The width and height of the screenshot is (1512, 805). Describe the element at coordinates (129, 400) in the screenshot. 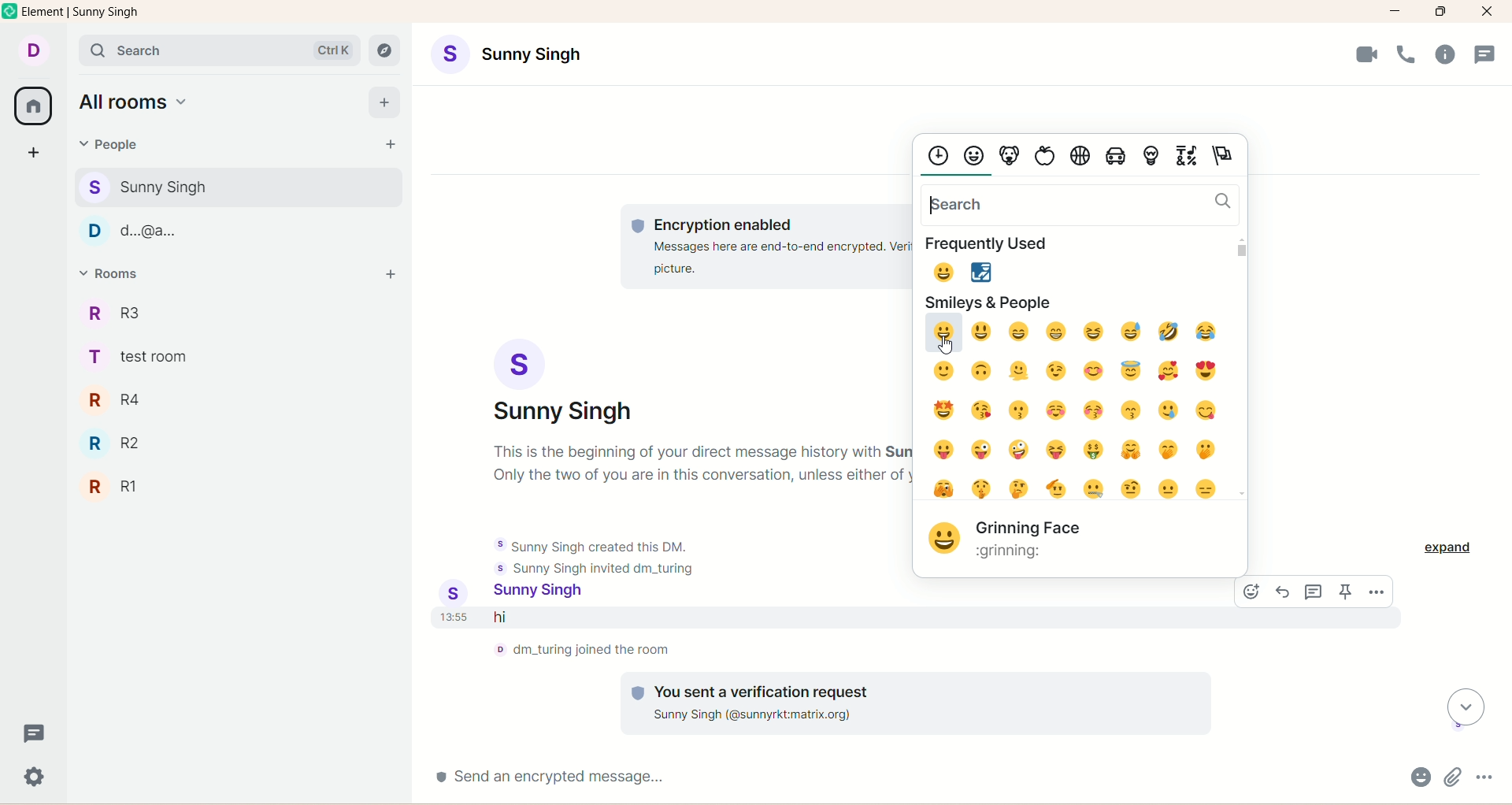

I see `R4` at that location.